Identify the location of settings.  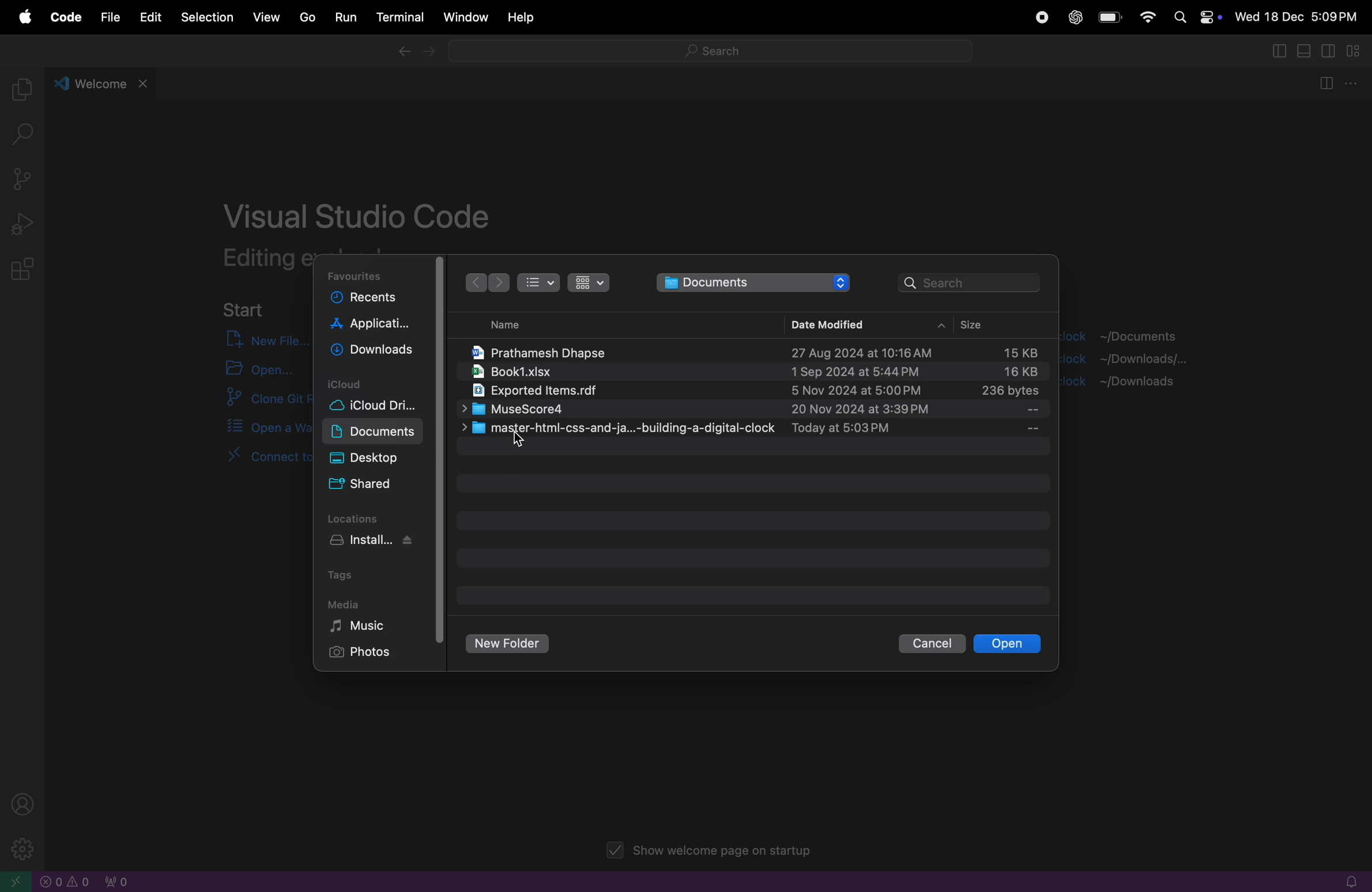
(19, 848).